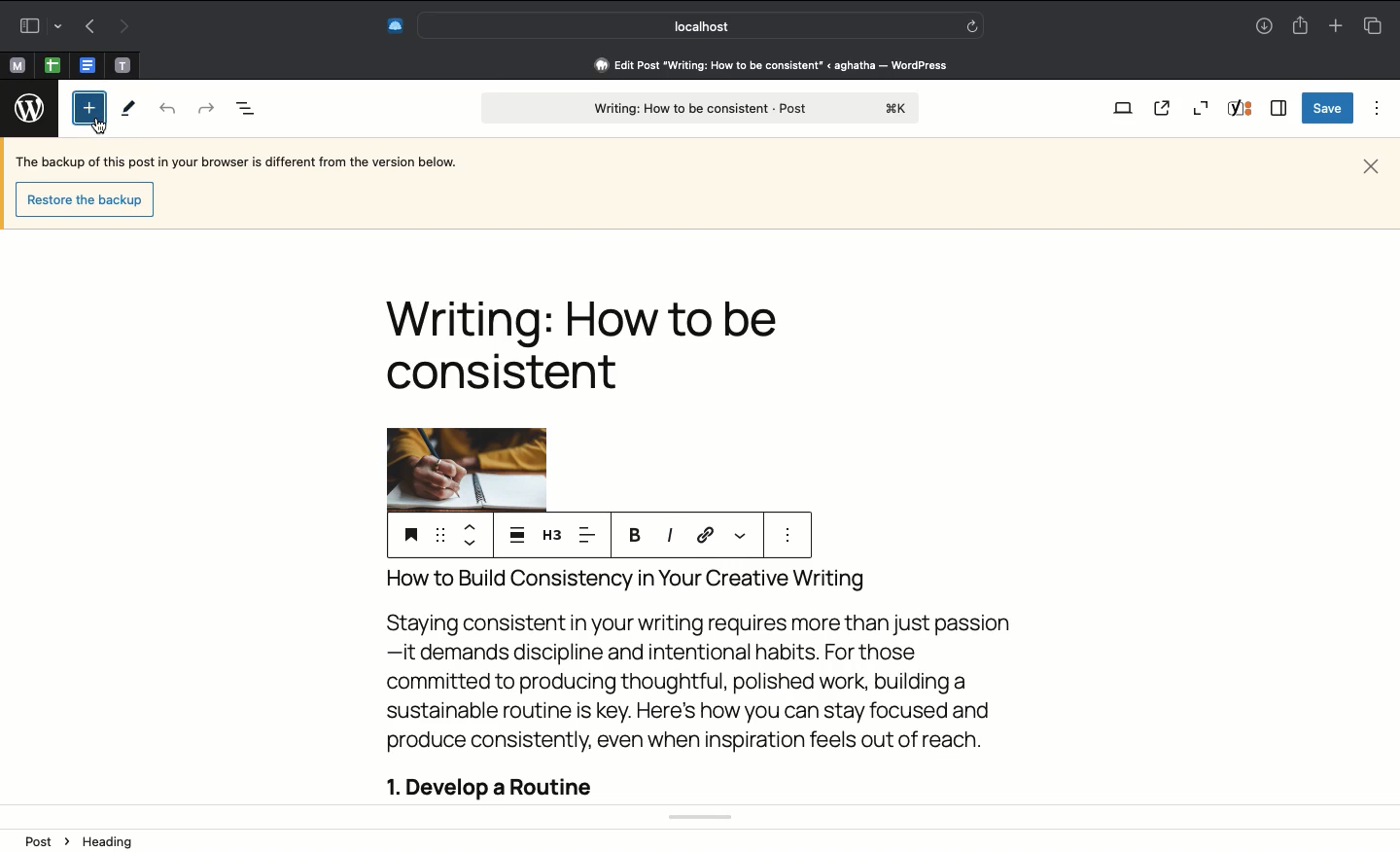  What do you see at coordinates (696, 108) in the screenshot?
I see `Post` at bounding box center [696, 108].